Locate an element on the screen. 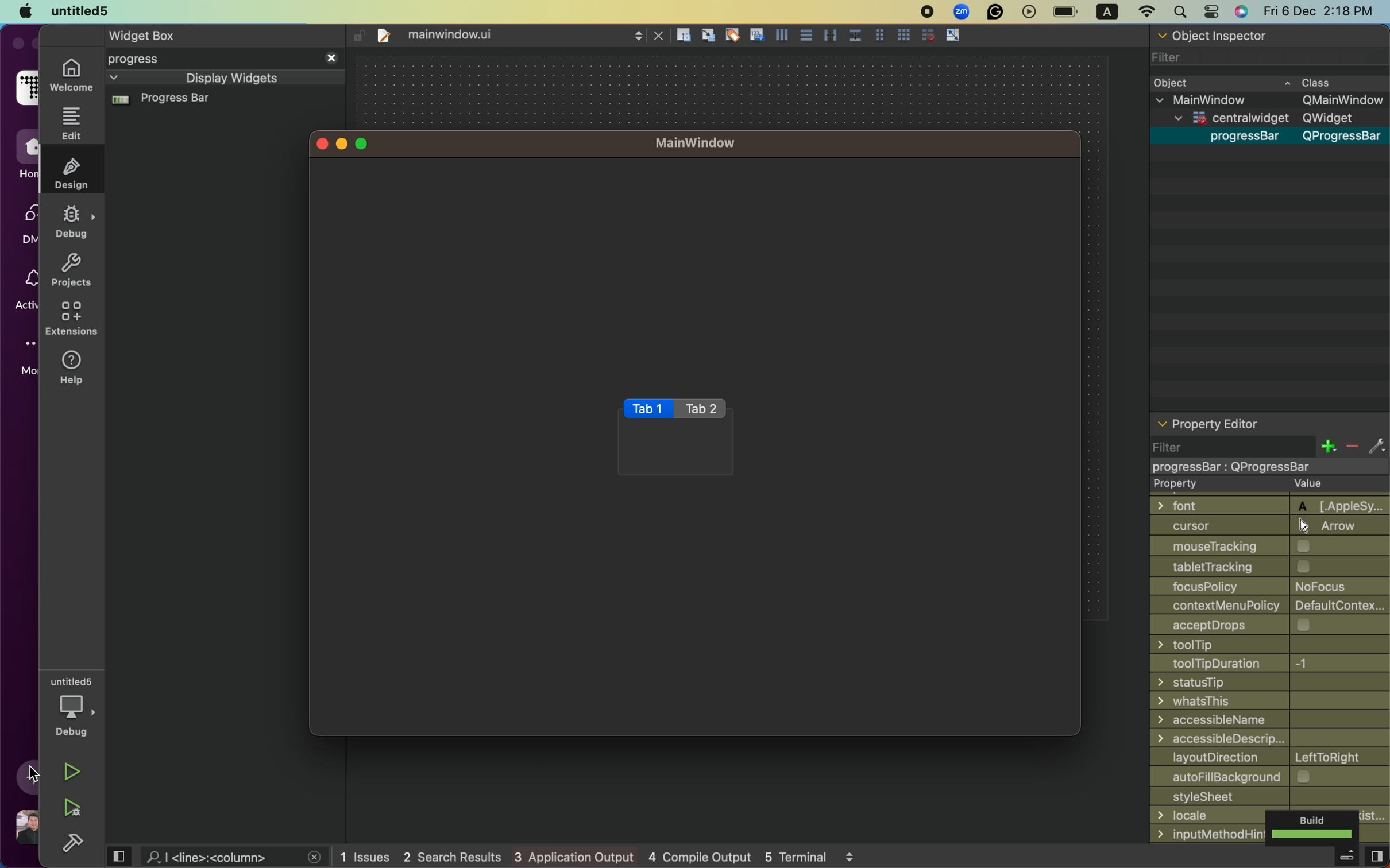 The width and height of the screenshot is (1390, 868). view is located at coordinates (1376, 857).